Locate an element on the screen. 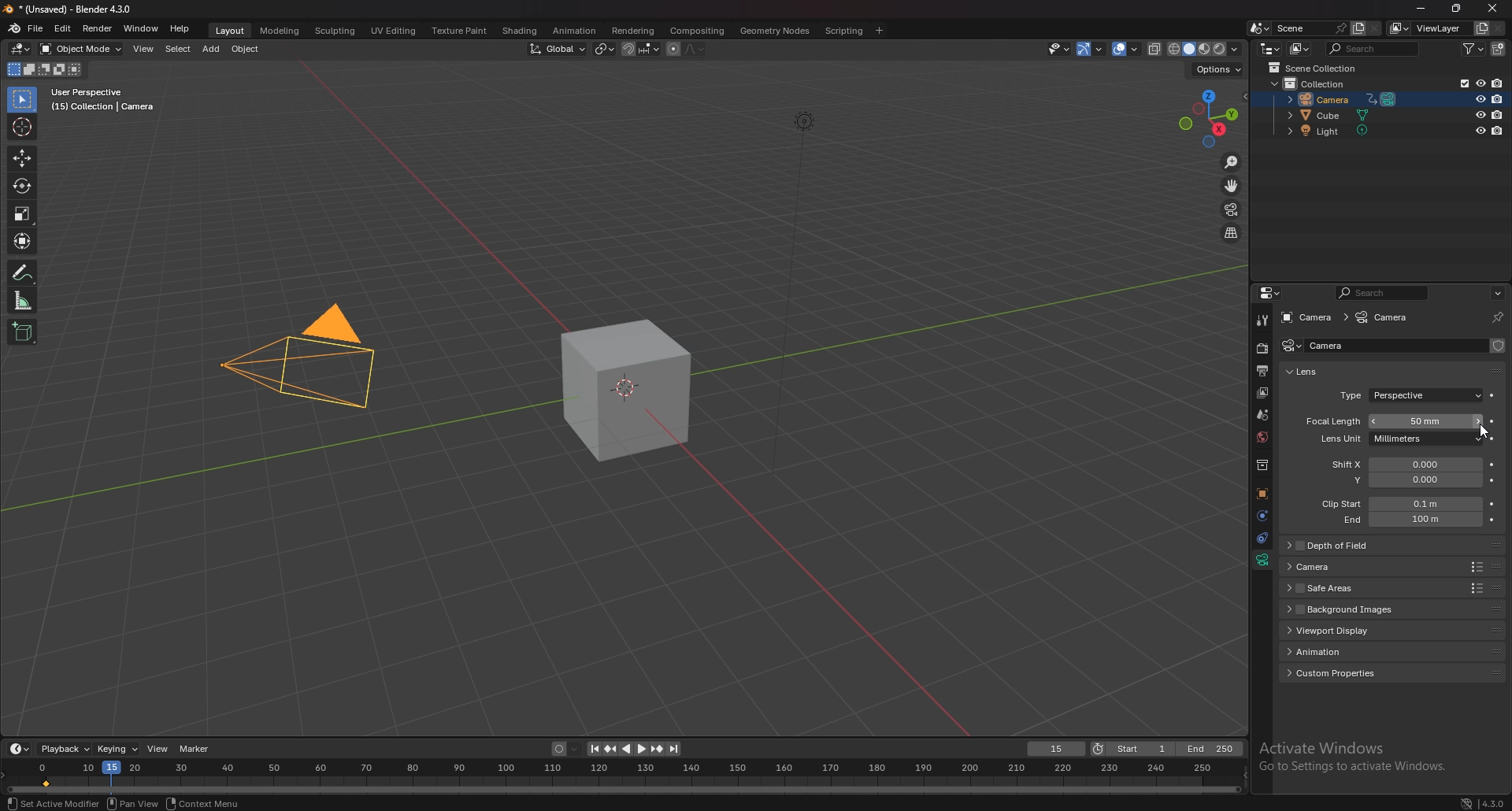  layout is located at coordinates (232, 31).